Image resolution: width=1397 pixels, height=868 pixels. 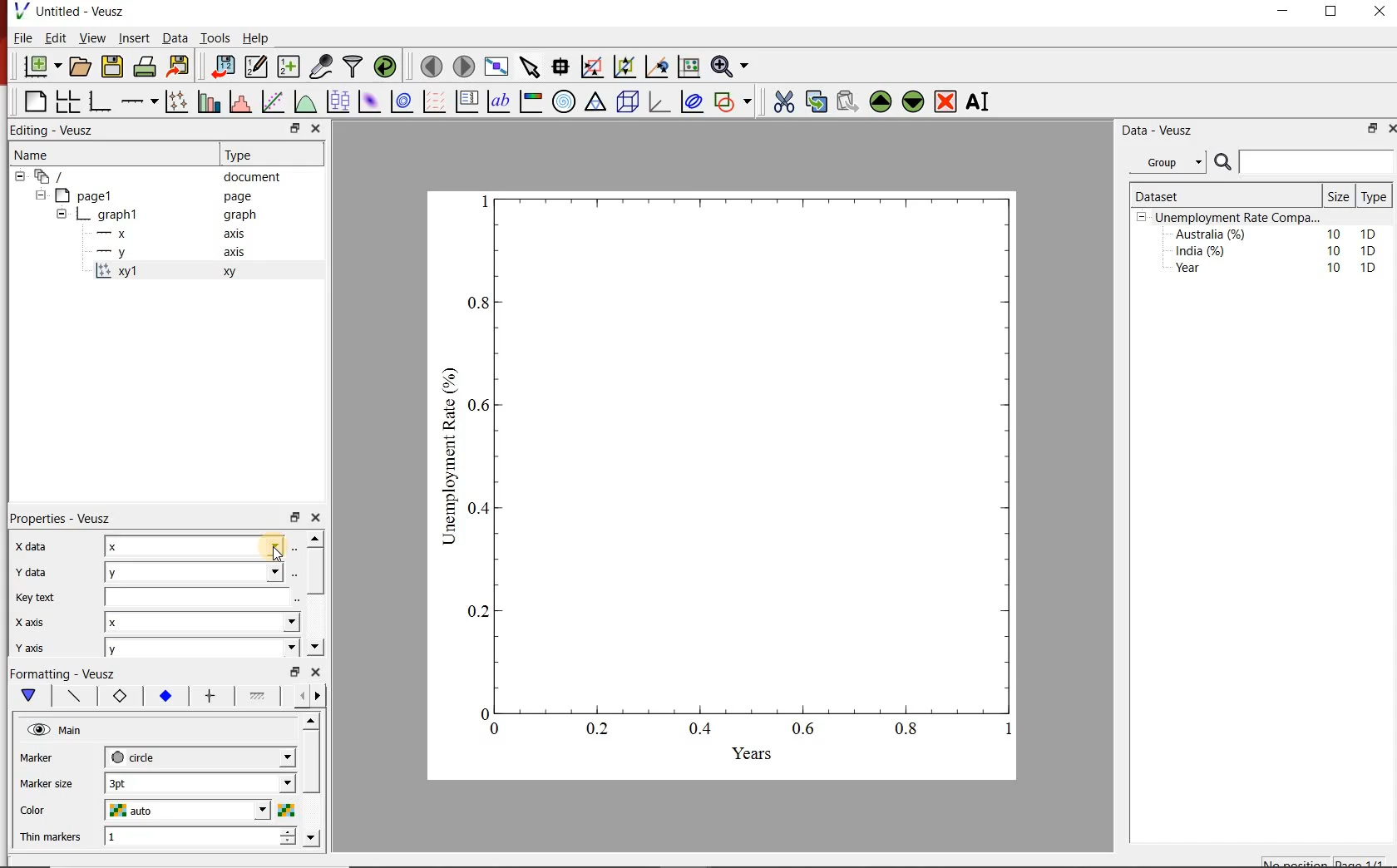 I want to click on x data, so click(x=29, y=547).